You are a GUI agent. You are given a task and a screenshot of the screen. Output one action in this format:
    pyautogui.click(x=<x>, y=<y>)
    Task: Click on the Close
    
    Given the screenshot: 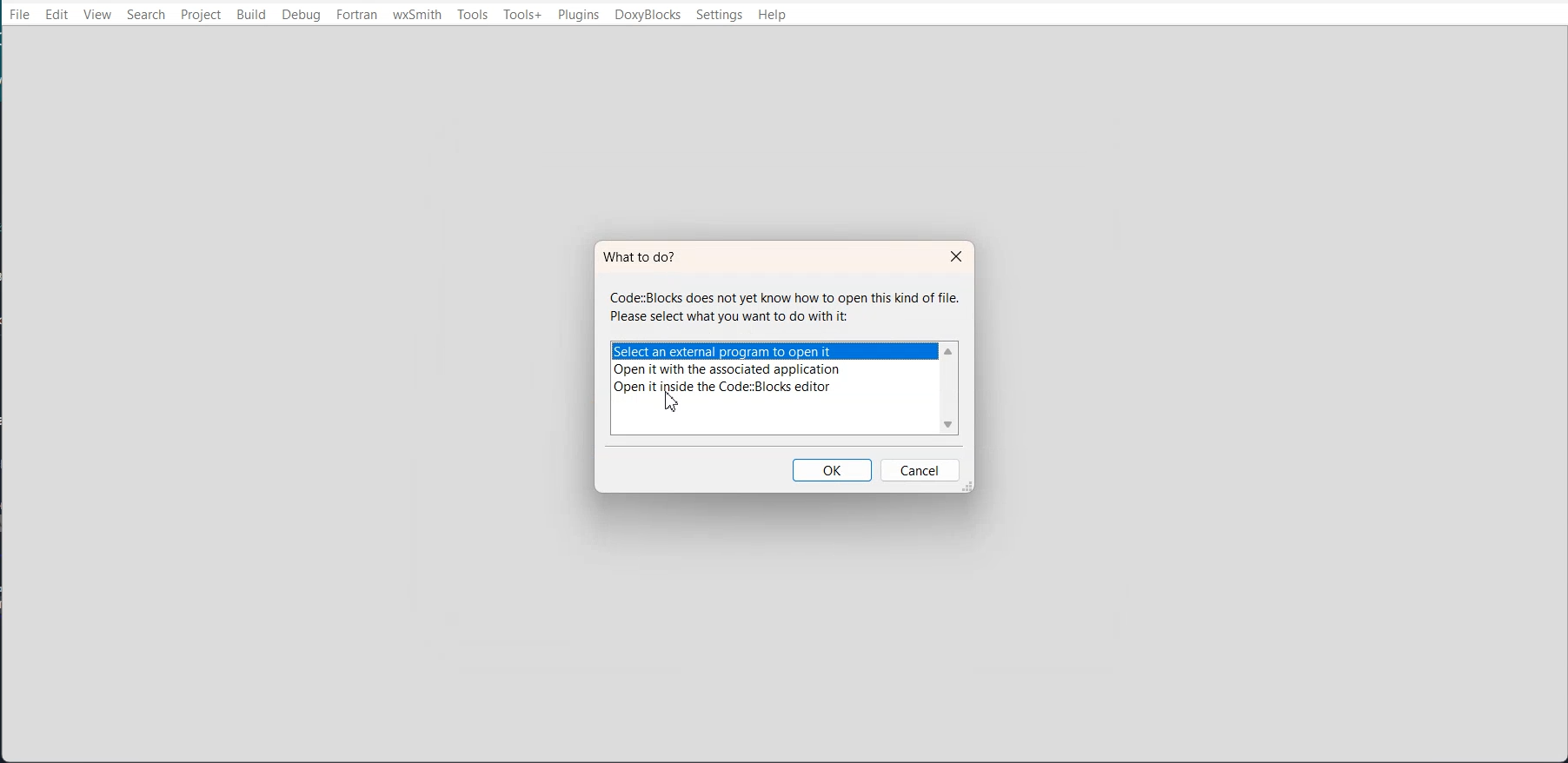 What is the action you would take?
    pyautogui.click(x=958, y=257)
    